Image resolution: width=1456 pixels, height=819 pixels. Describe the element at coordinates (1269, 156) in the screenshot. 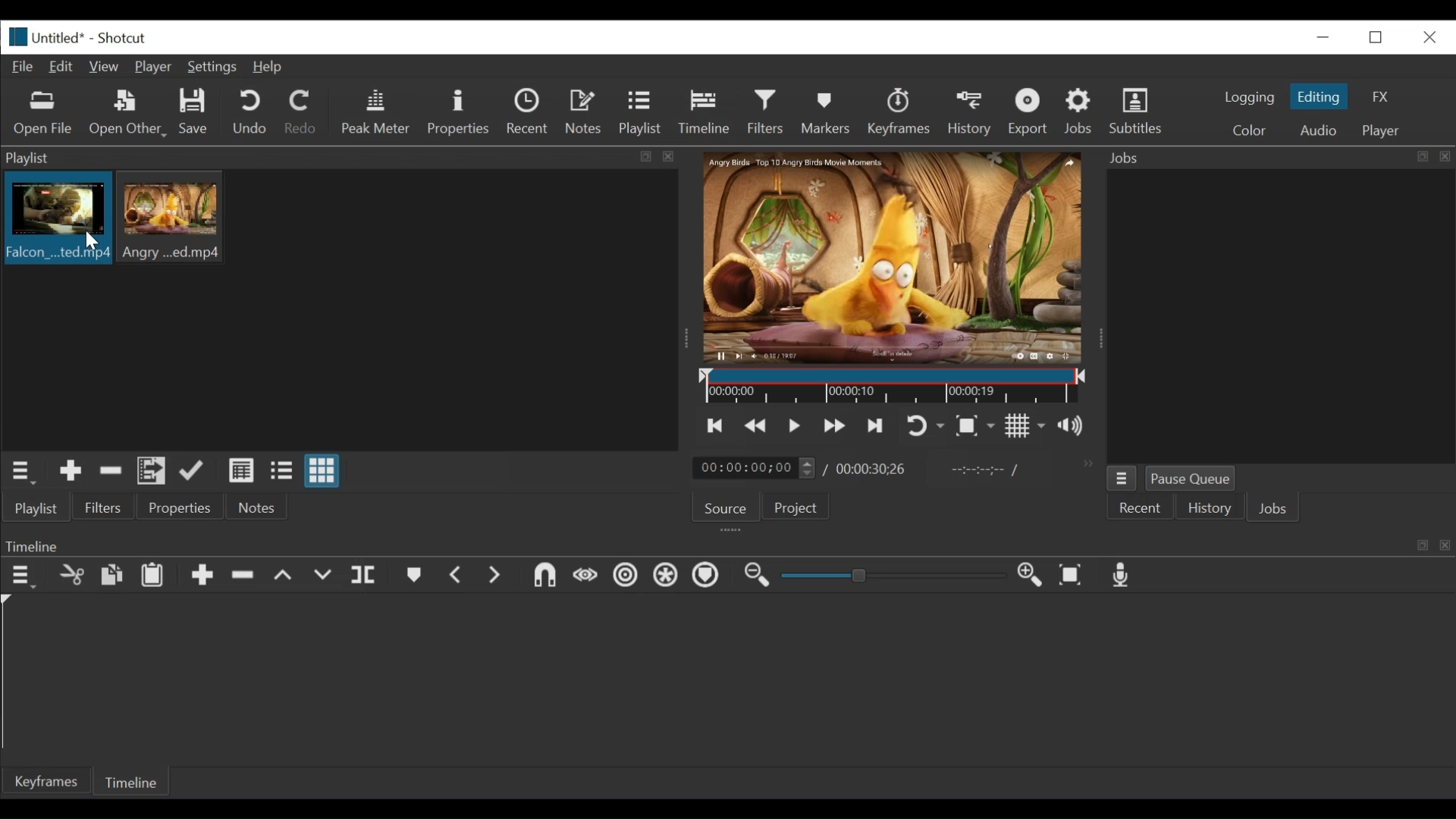

I see `Jobs menu` at that location.